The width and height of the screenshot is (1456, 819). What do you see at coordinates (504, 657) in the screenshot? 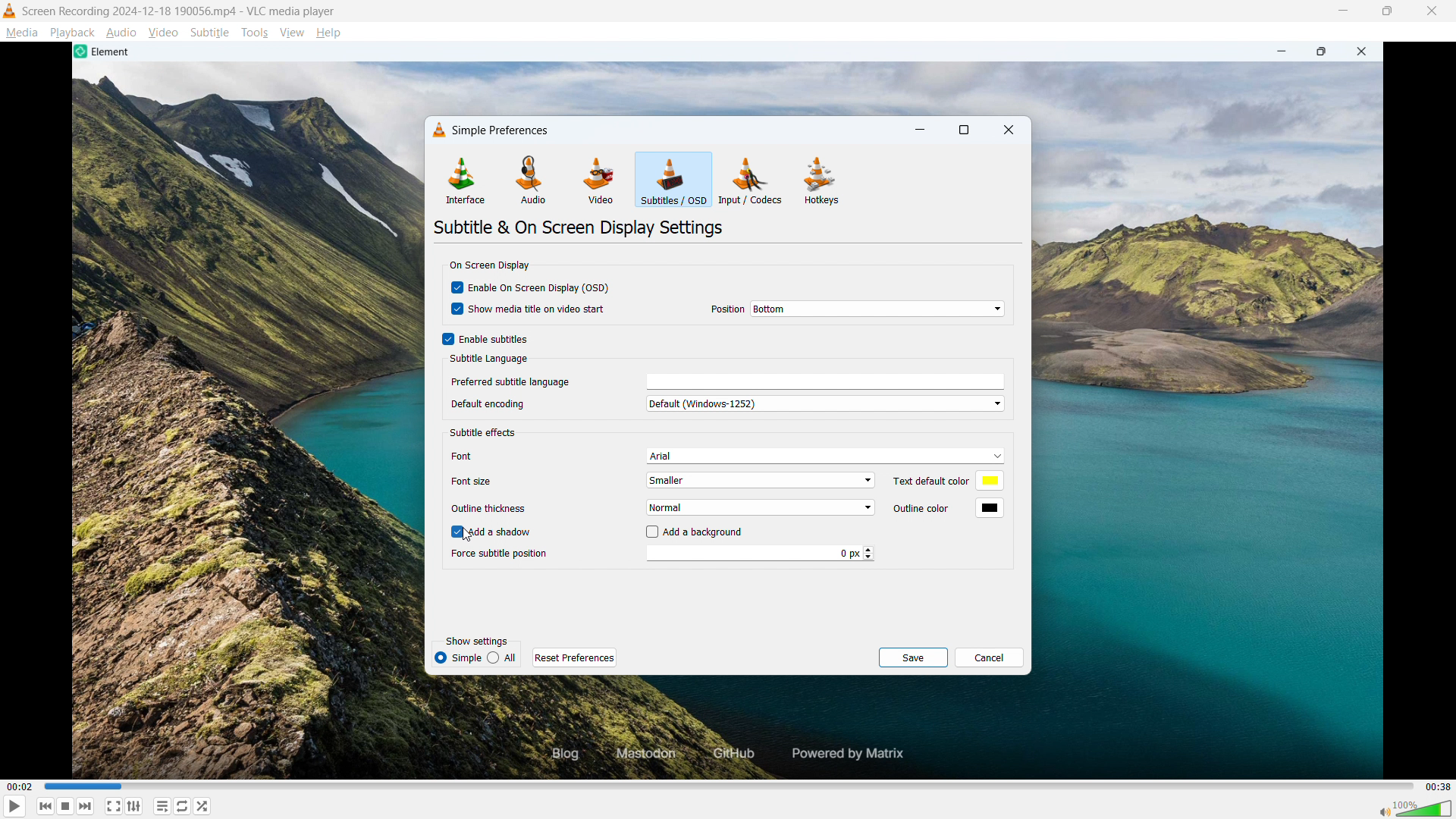
I see `all` at bounding box center [504, 657].